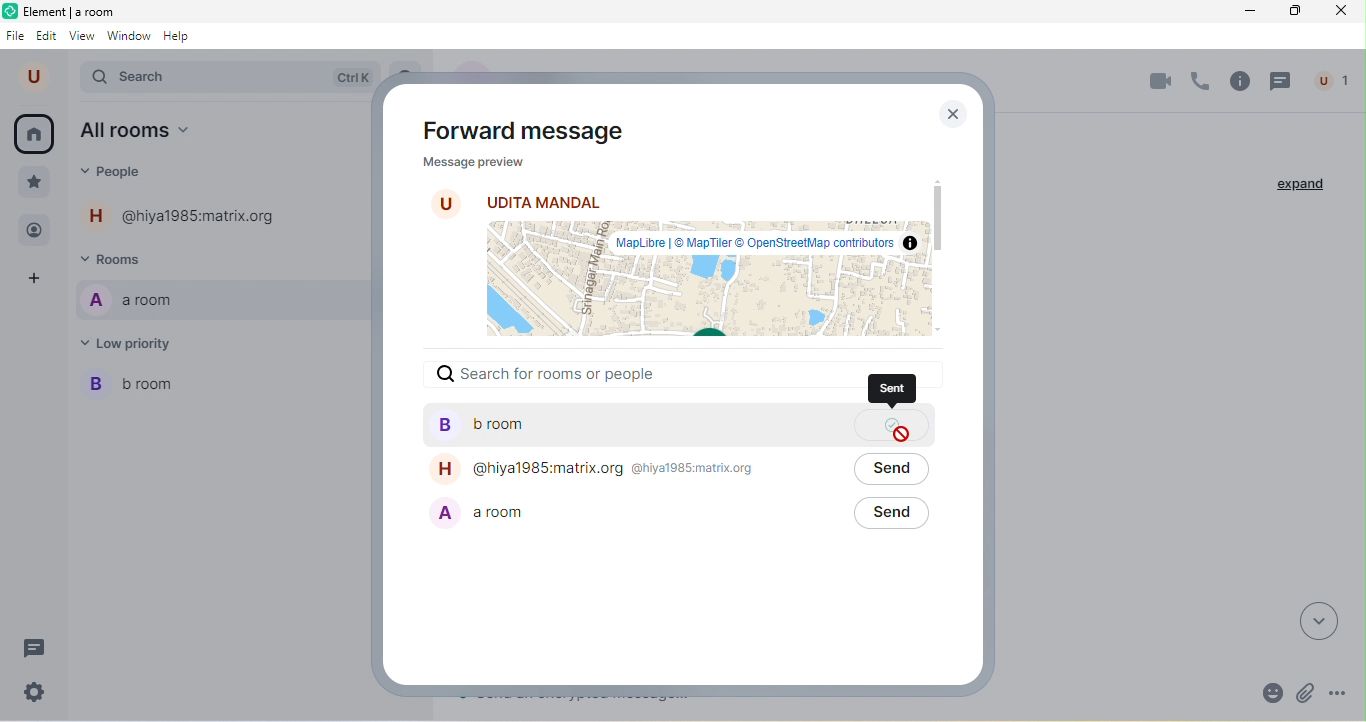  Describe the element at coordinates (35, 231) in the screenshot. I see `people` at that location.